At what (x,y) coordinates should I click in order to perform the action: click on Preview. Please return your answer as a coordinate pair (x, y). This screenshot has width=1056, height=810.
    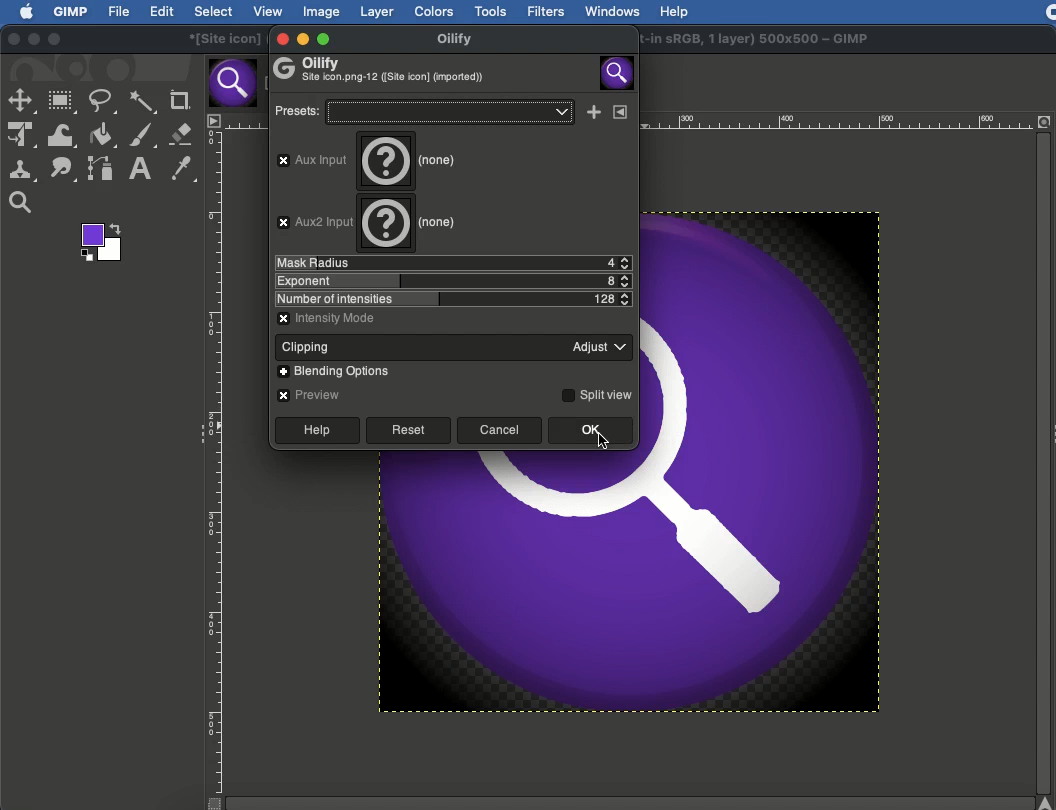
    Looking at the image, I should click on (310, 396).